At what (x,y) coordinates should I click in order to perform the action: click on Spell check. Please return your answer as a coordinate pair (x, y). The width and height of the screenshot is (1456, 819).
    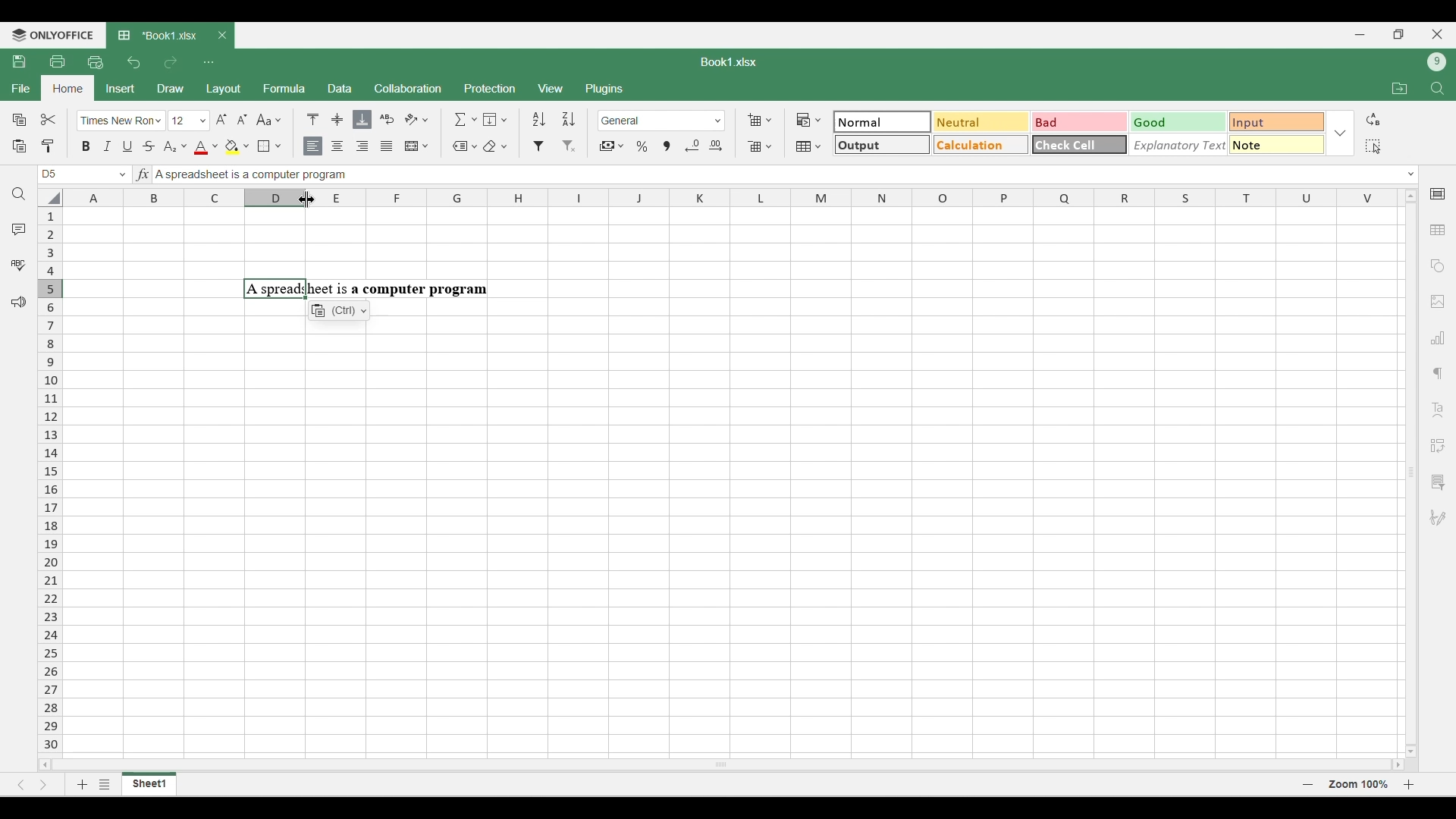
    Looking at the image, I should click on (18, 265).